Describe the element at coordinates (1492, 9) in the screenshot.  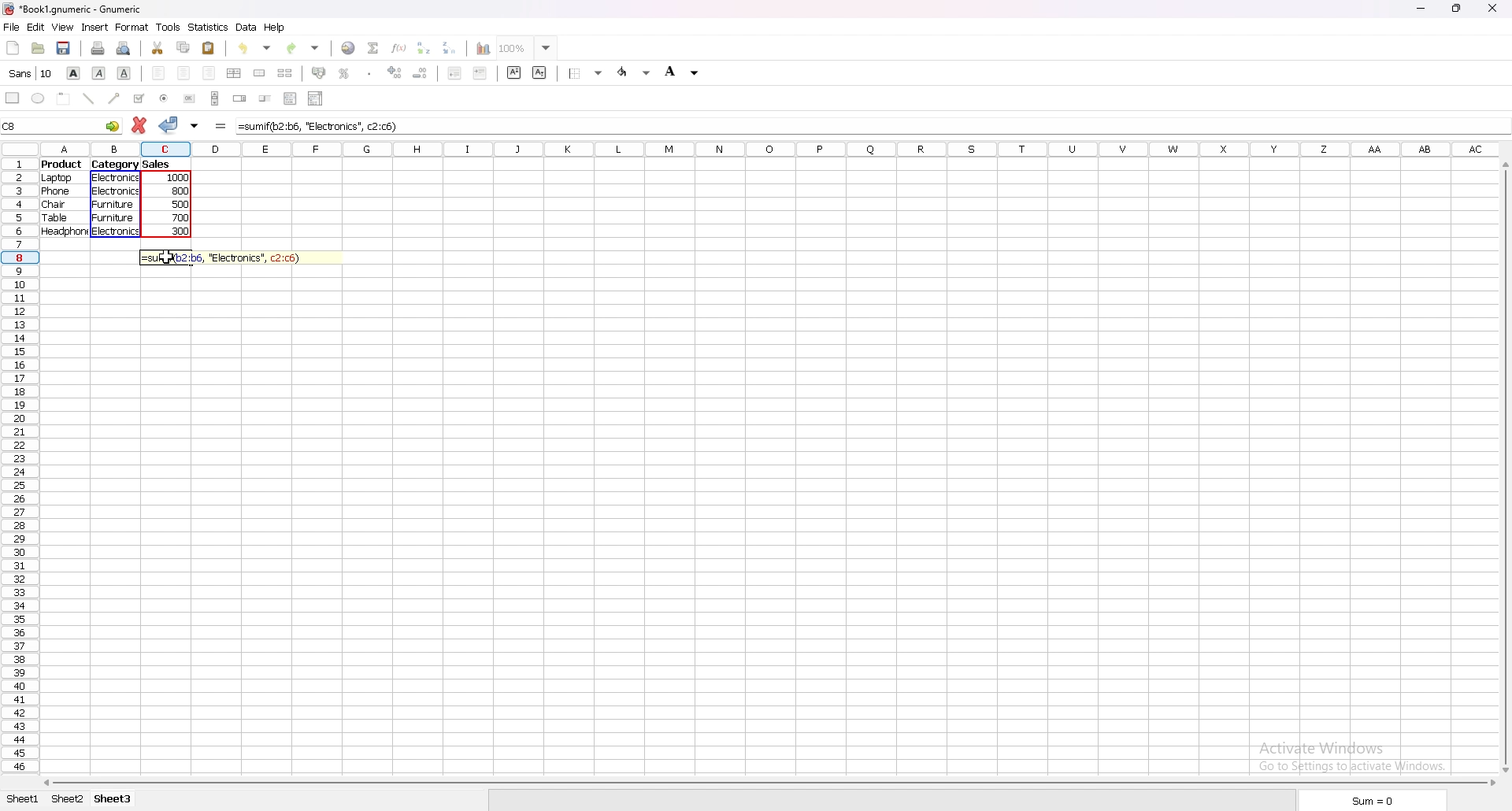
I see `close` at that location.